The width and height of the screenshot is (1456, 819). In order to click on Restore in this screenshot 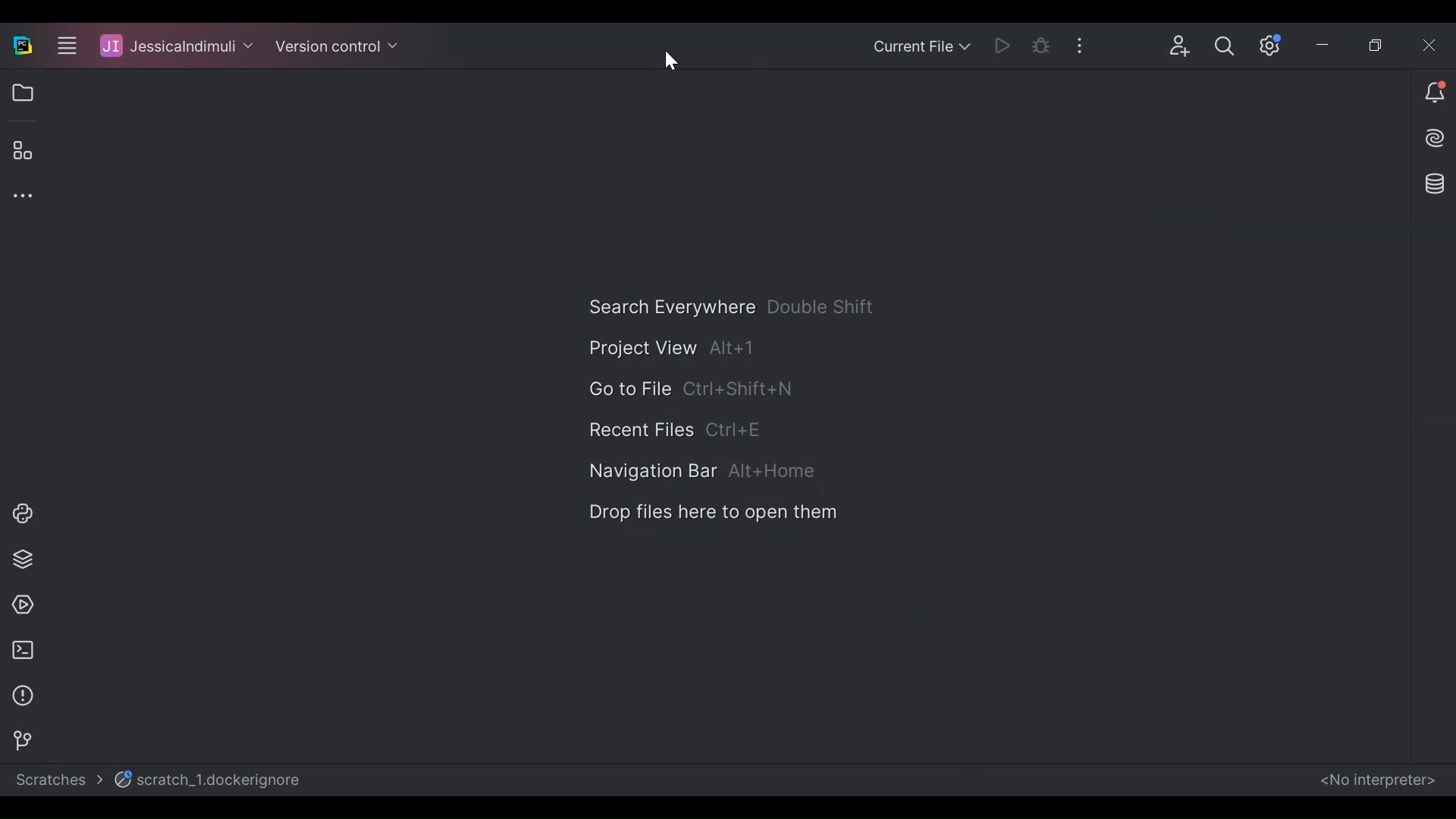, I will do `click(1375, 45)`.